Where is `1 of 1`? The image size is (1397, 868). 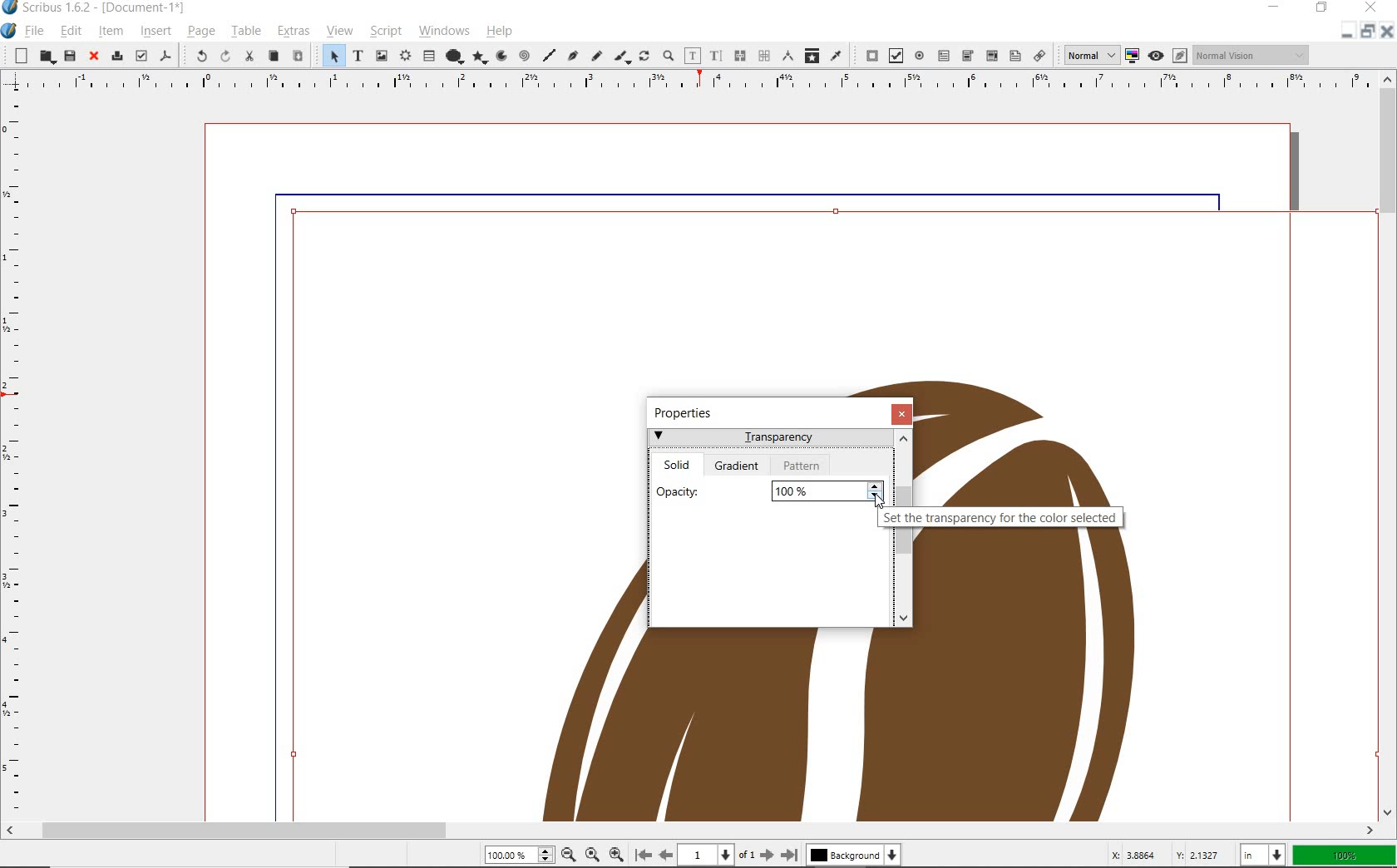 1 of 1 is located at coordinates (717, 856).